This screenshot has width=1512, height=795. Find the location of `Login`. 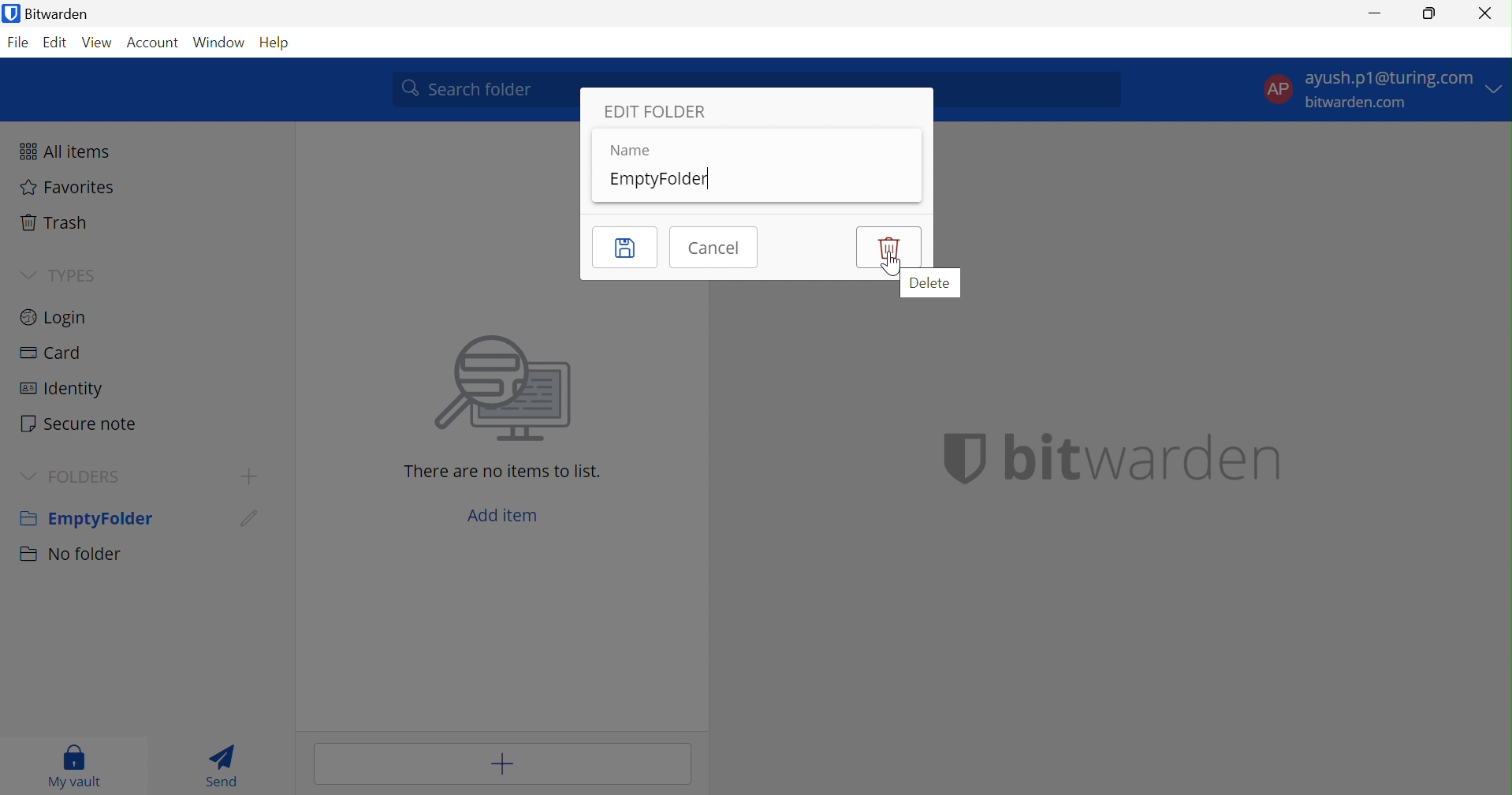

Login is located at coordinates (54, 315).